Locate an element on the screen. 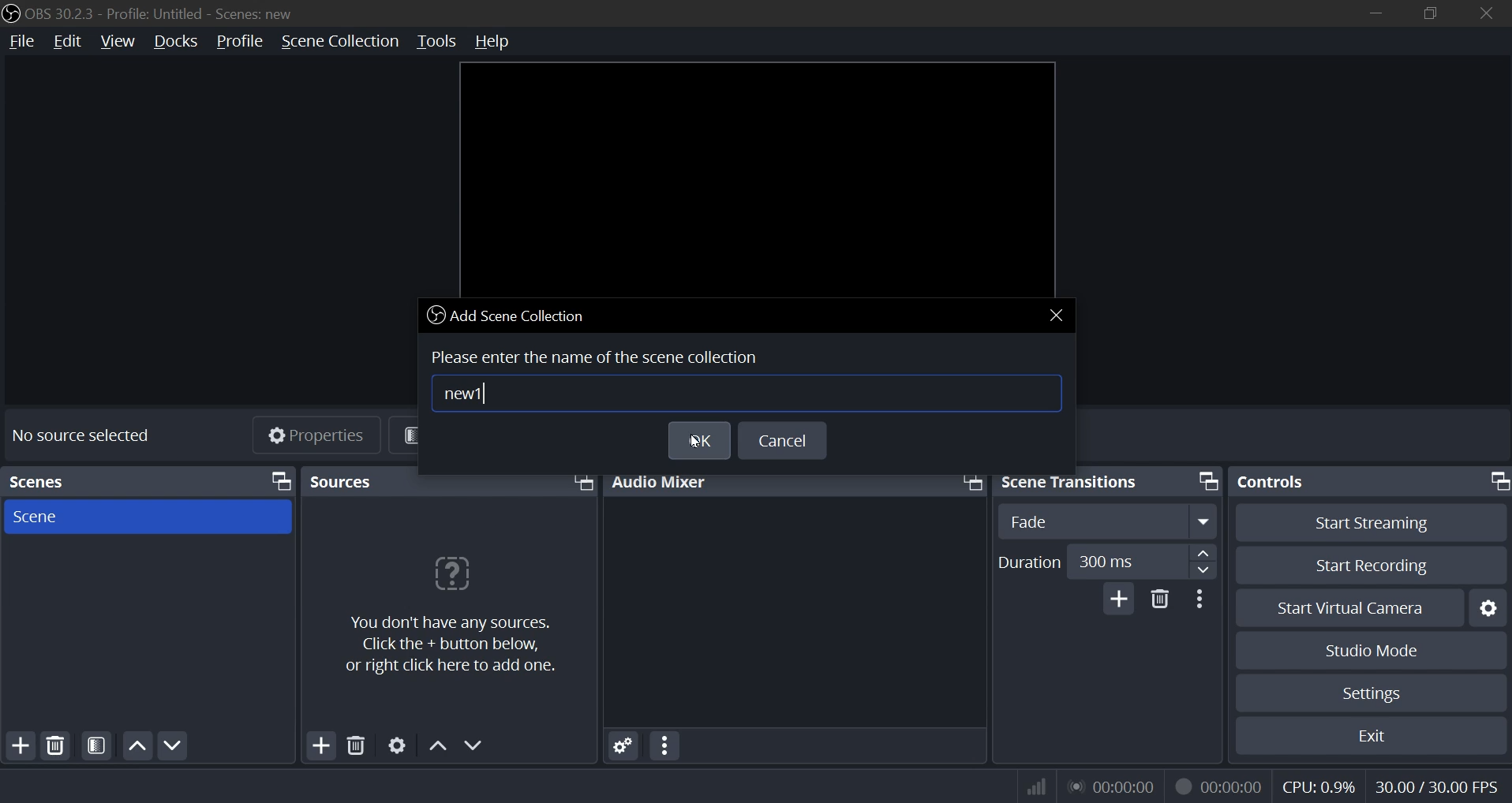 The width and height of the screenshot is (1512, 803). studio mode is located at coordinates (1374, 652).